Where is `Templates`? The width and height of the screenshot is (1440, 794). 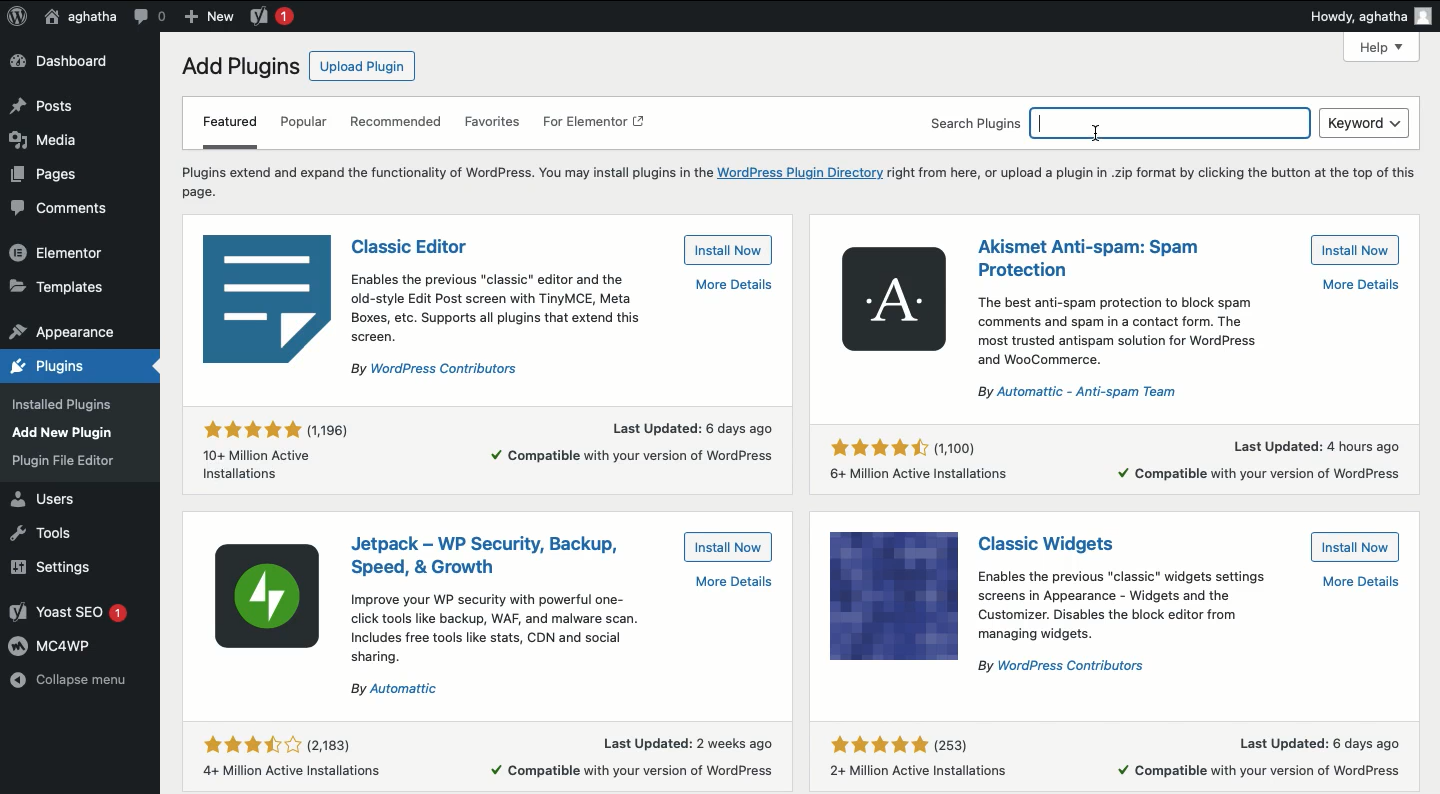
Templates is located at coordinates (59, 288).